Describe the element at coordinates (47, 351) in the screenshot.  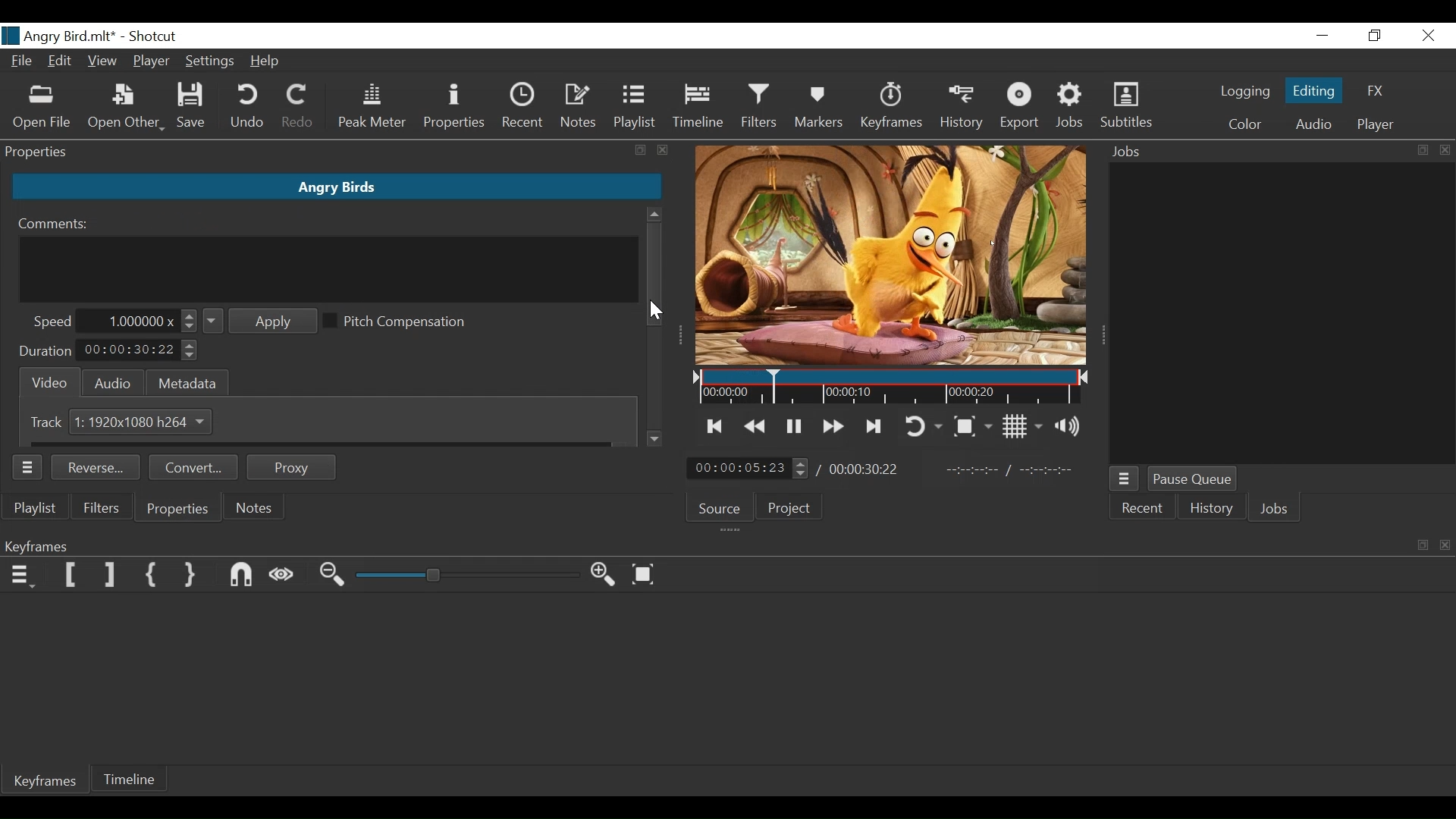
I see `Duration` at that location.